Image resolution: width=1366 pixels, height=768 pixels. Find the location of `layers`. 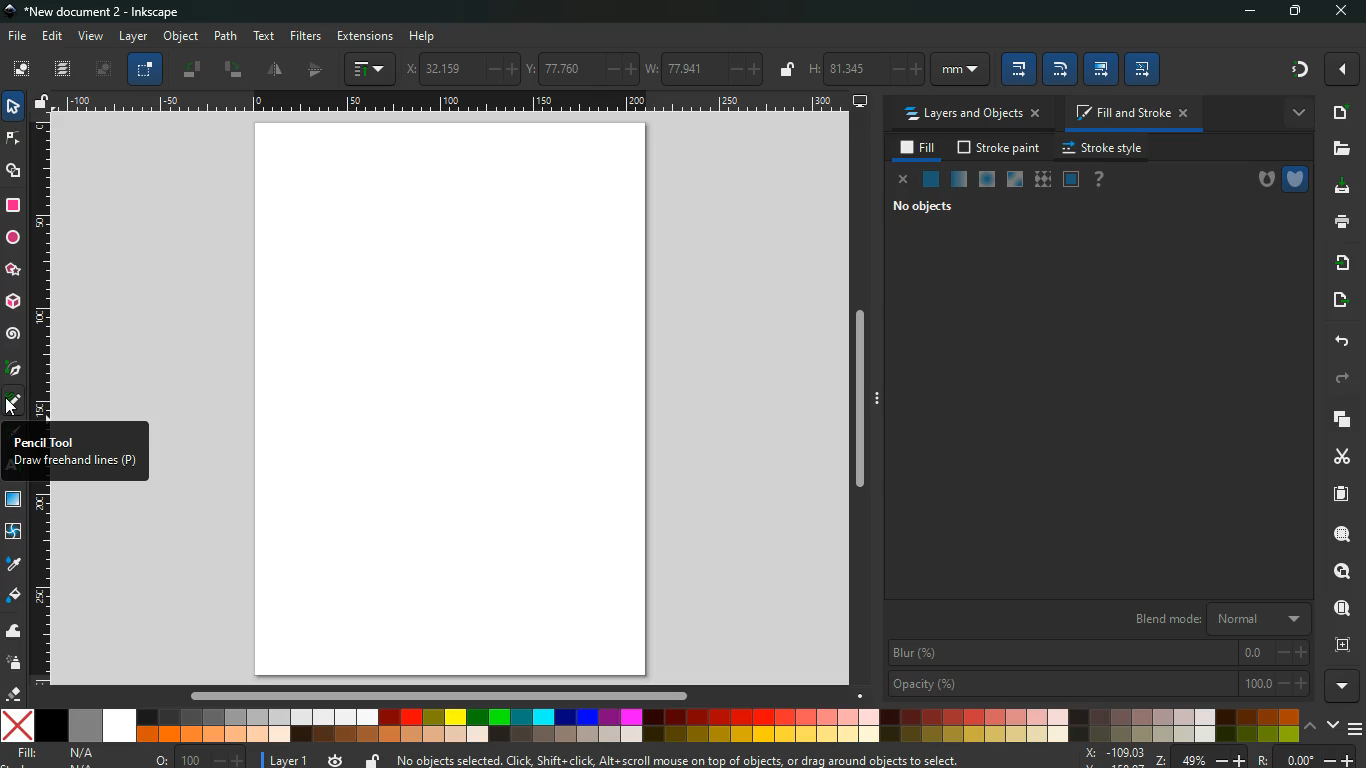

layers is located at coordinates (64, 69).